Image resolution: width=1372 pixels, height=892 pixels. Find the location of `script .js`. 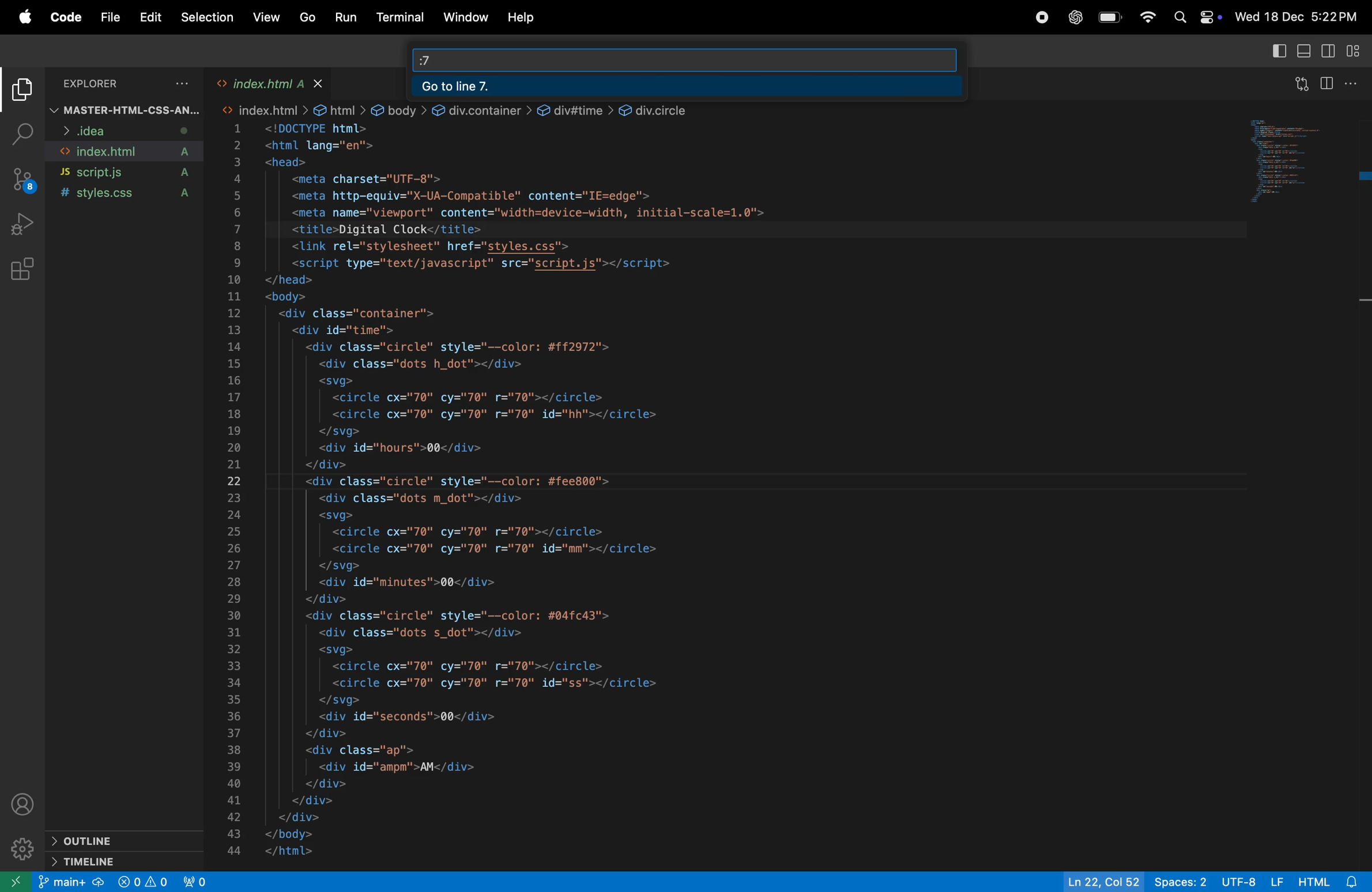

script .js is located at coordinates (129, 172).